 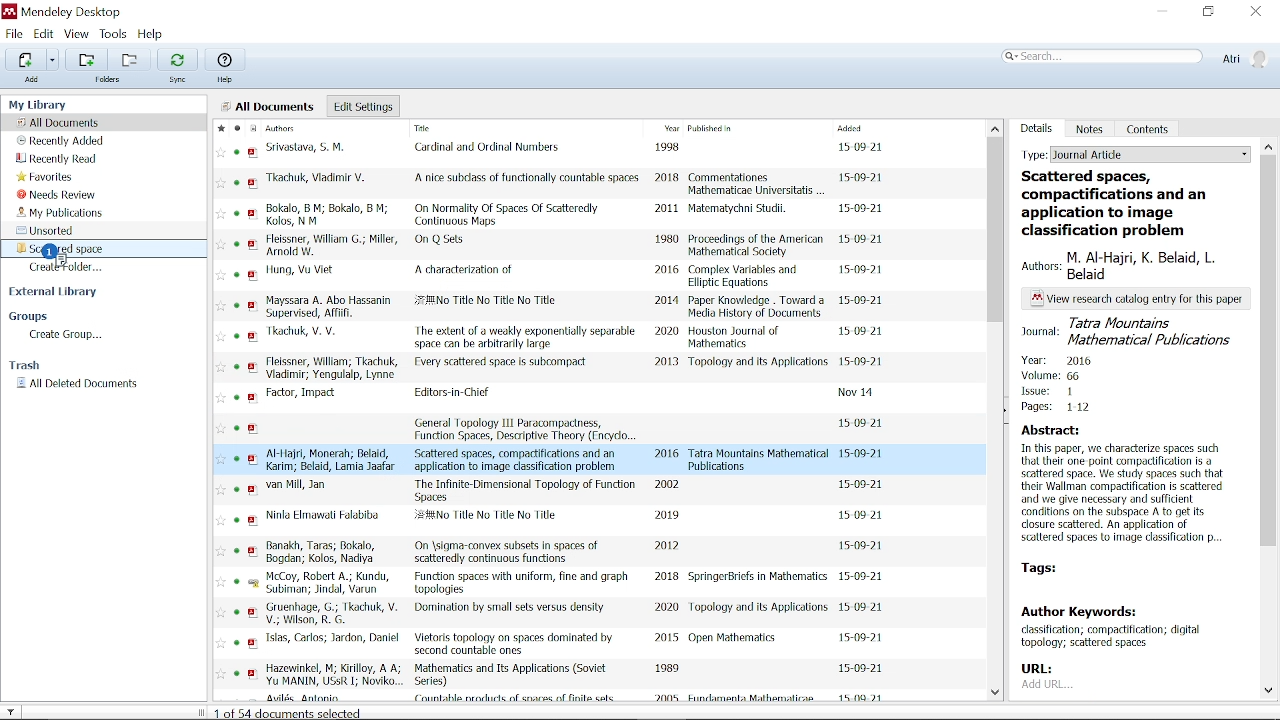 What do you see at coordinates (177, 59) in the screenshot?
I see `Sync` at bounding box center [177, 59].